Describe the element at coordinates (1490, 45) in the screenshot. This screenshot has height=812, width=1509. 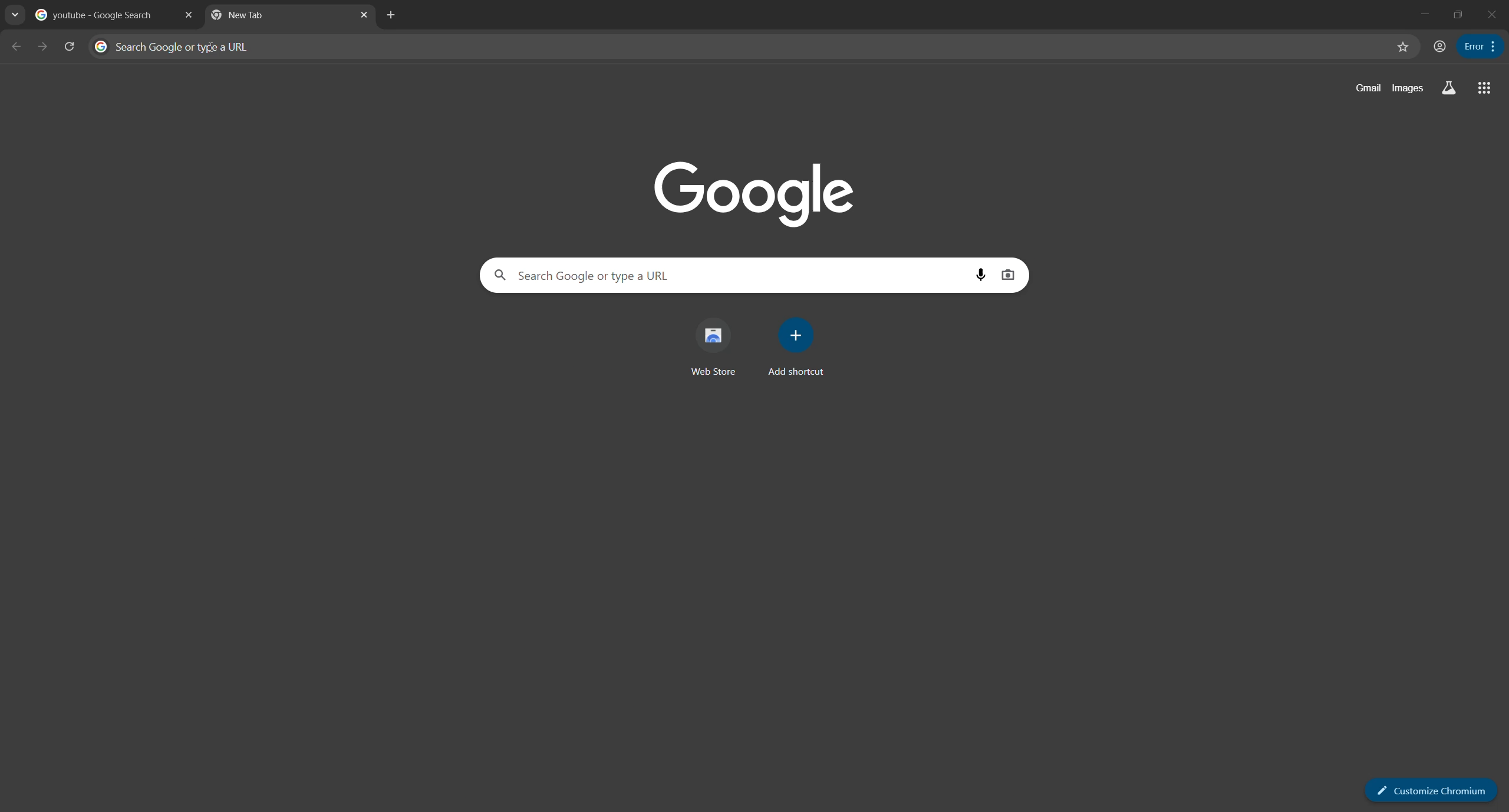
I see `customize chromium` at that location.